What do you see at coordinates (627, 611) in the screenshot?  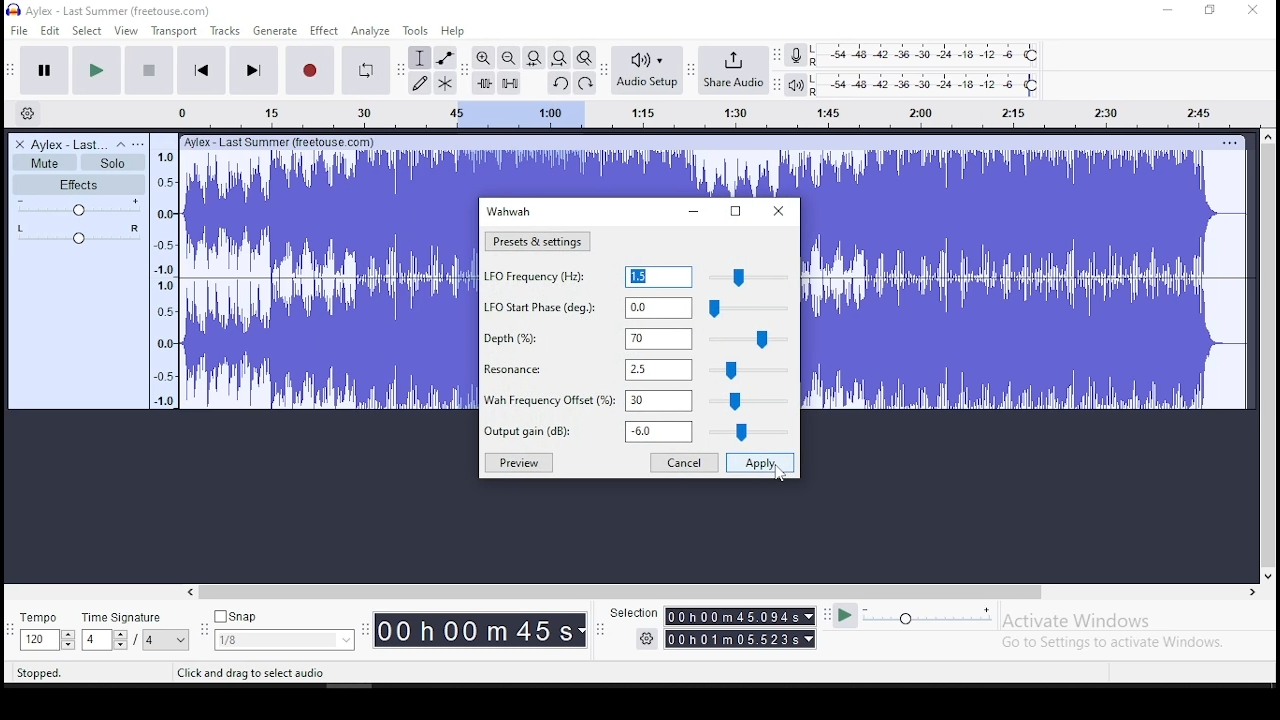 I see `Selection` at bounding box center [627, 611].